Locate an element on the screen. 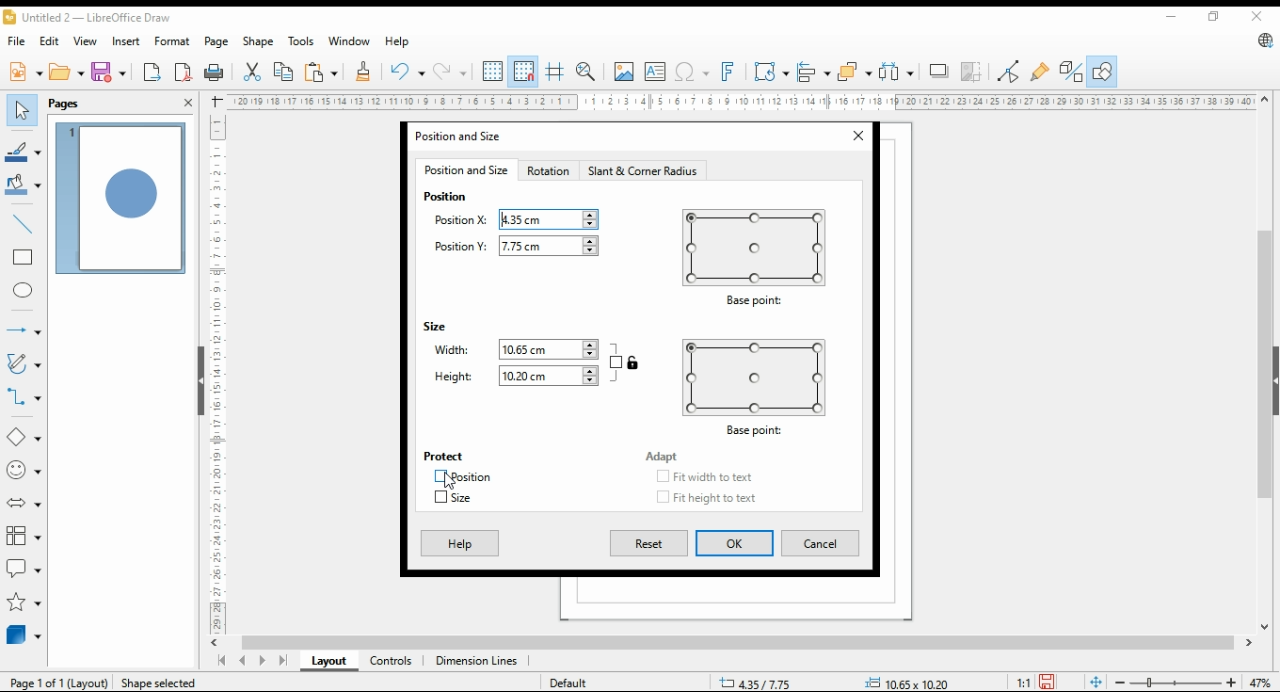  fill color is located at coordinates (23, 185).